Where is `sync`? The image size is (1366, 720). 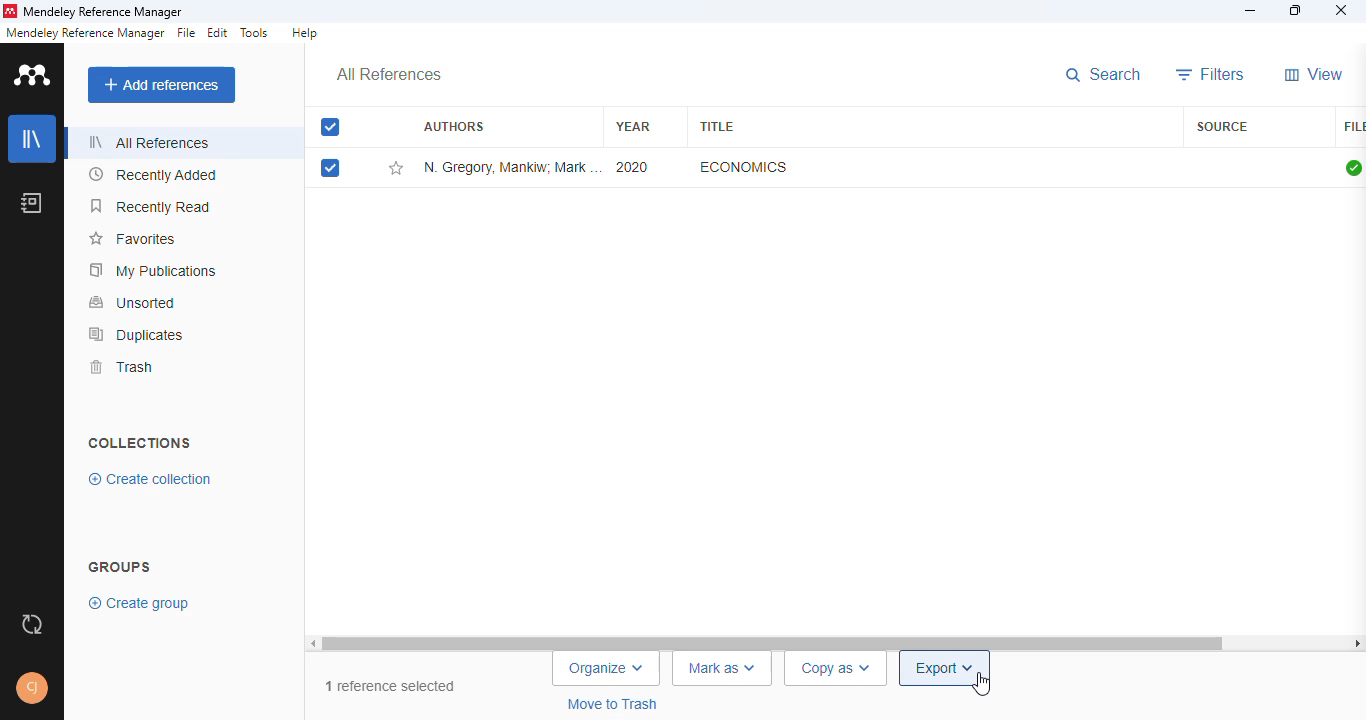 sync is located at coordinates (32, 625).